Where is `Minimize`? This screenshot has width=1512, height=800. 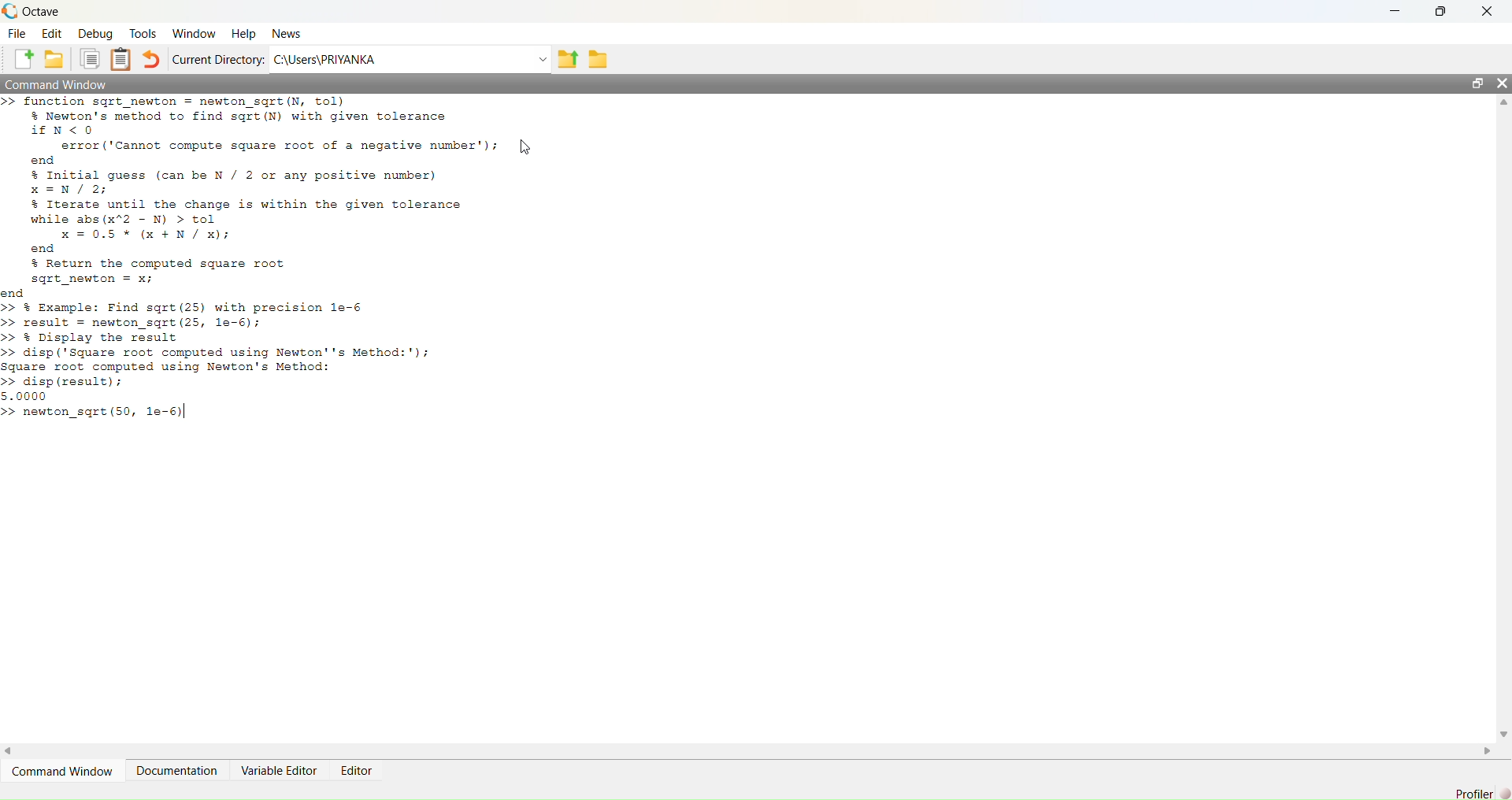 Minimize is located at coordinates (1392, 11).